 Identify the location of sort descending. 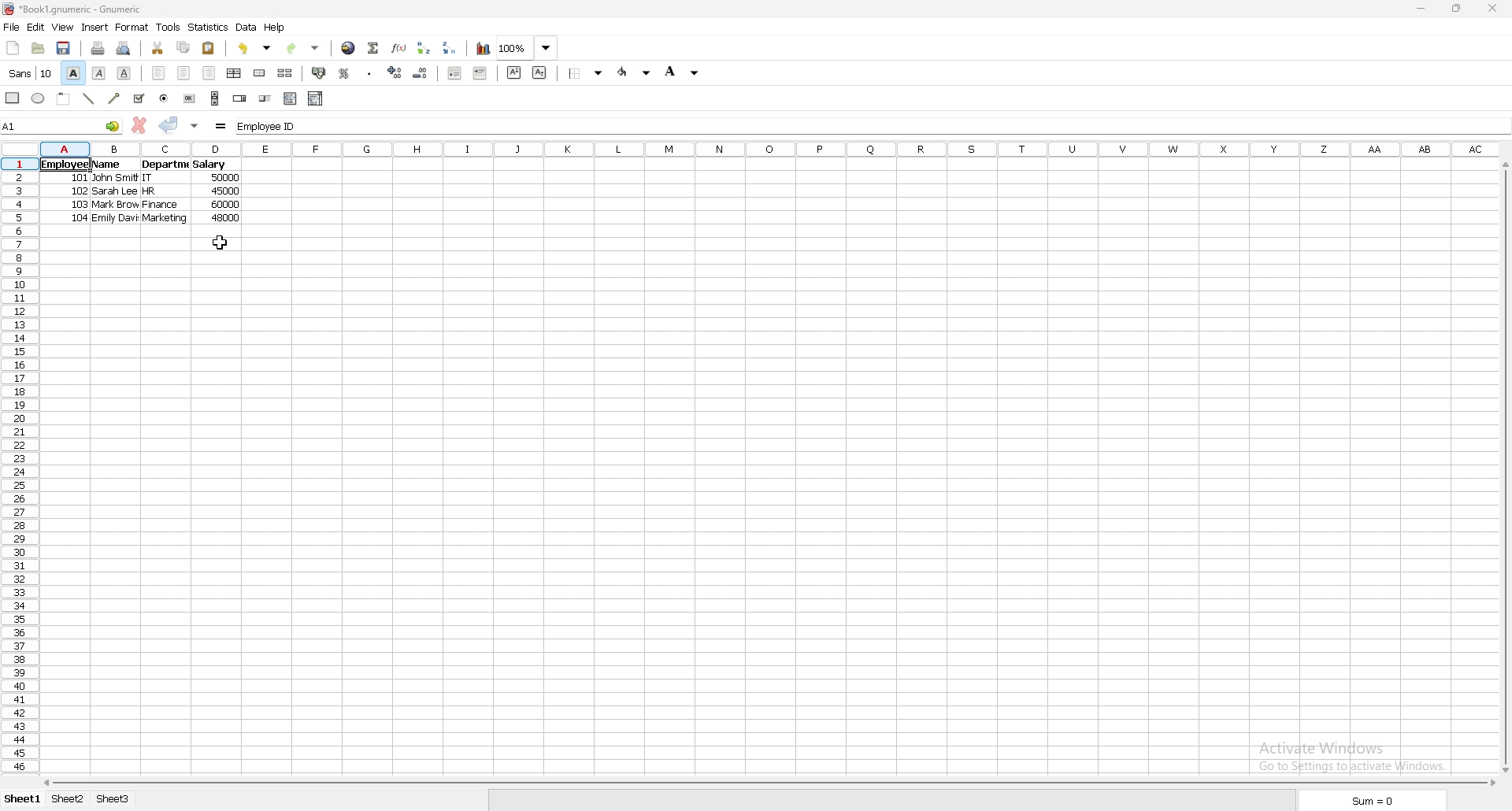
(450, 48).